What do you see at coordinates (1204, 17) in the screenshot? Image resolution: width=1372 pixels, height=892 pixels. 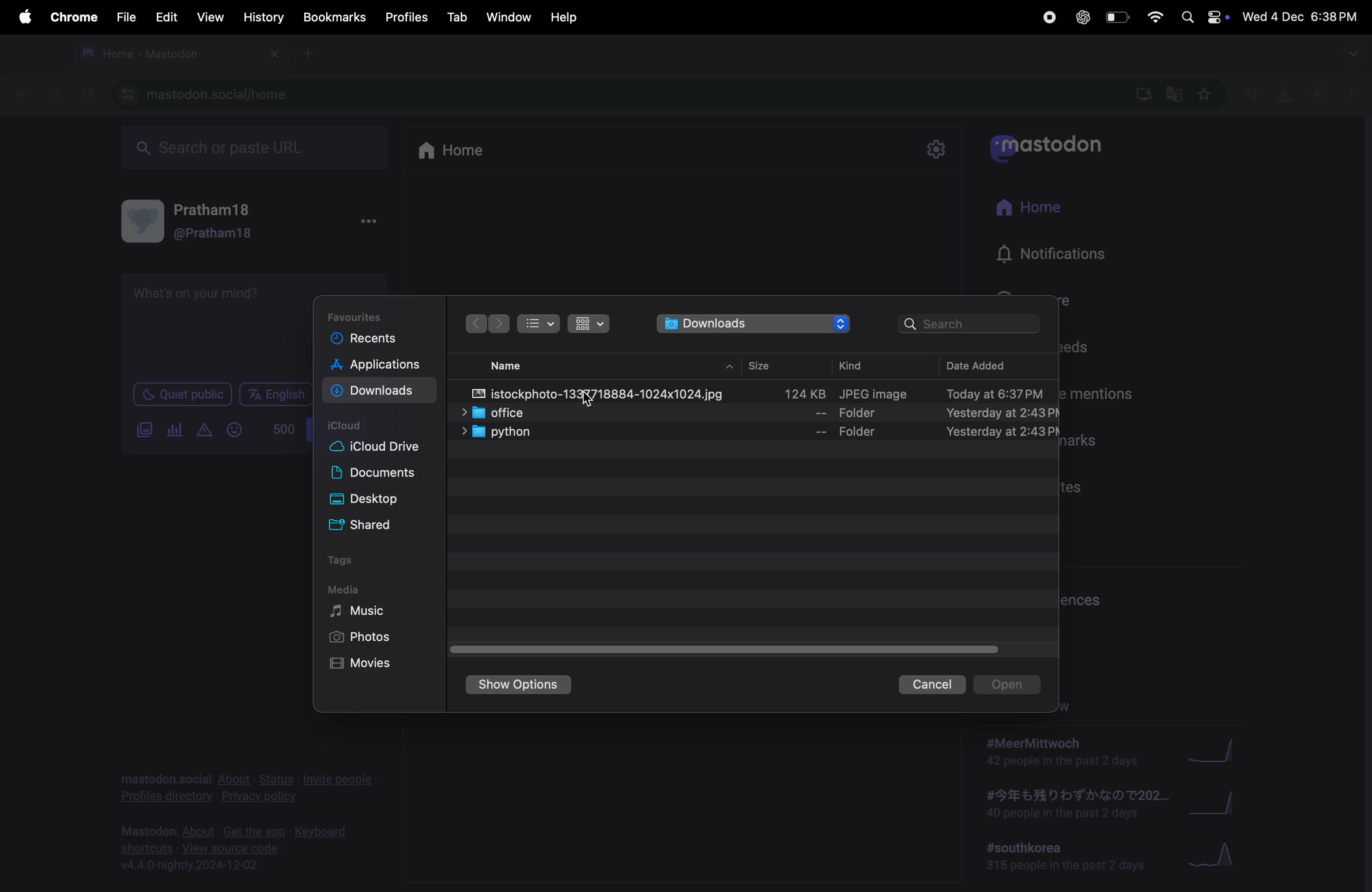 I see `apple widgets` at bounding box center [1204, 17].